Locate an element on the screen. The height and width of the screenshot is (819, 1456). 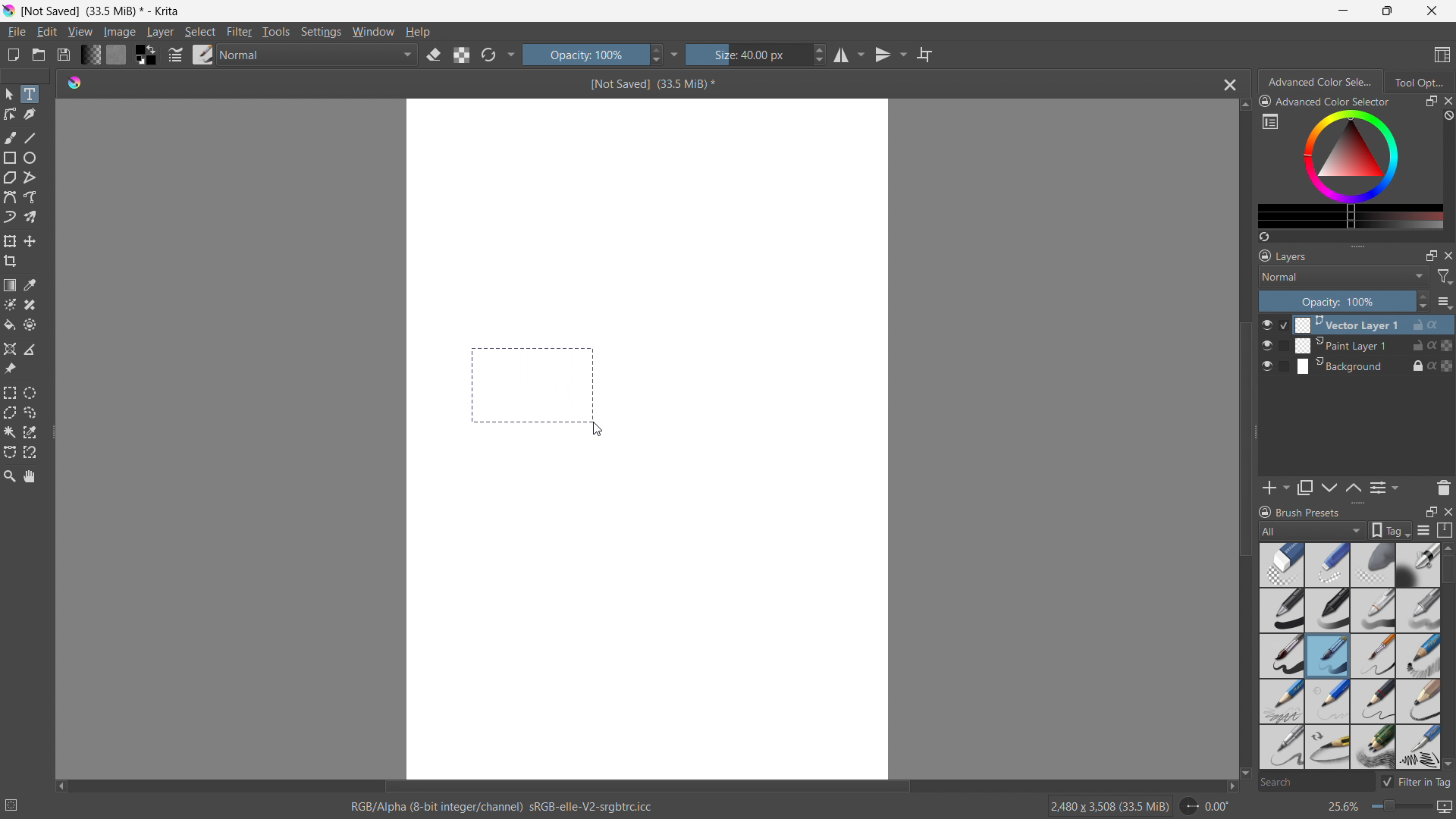
zoom tool  is located at coordinates (9, 475).